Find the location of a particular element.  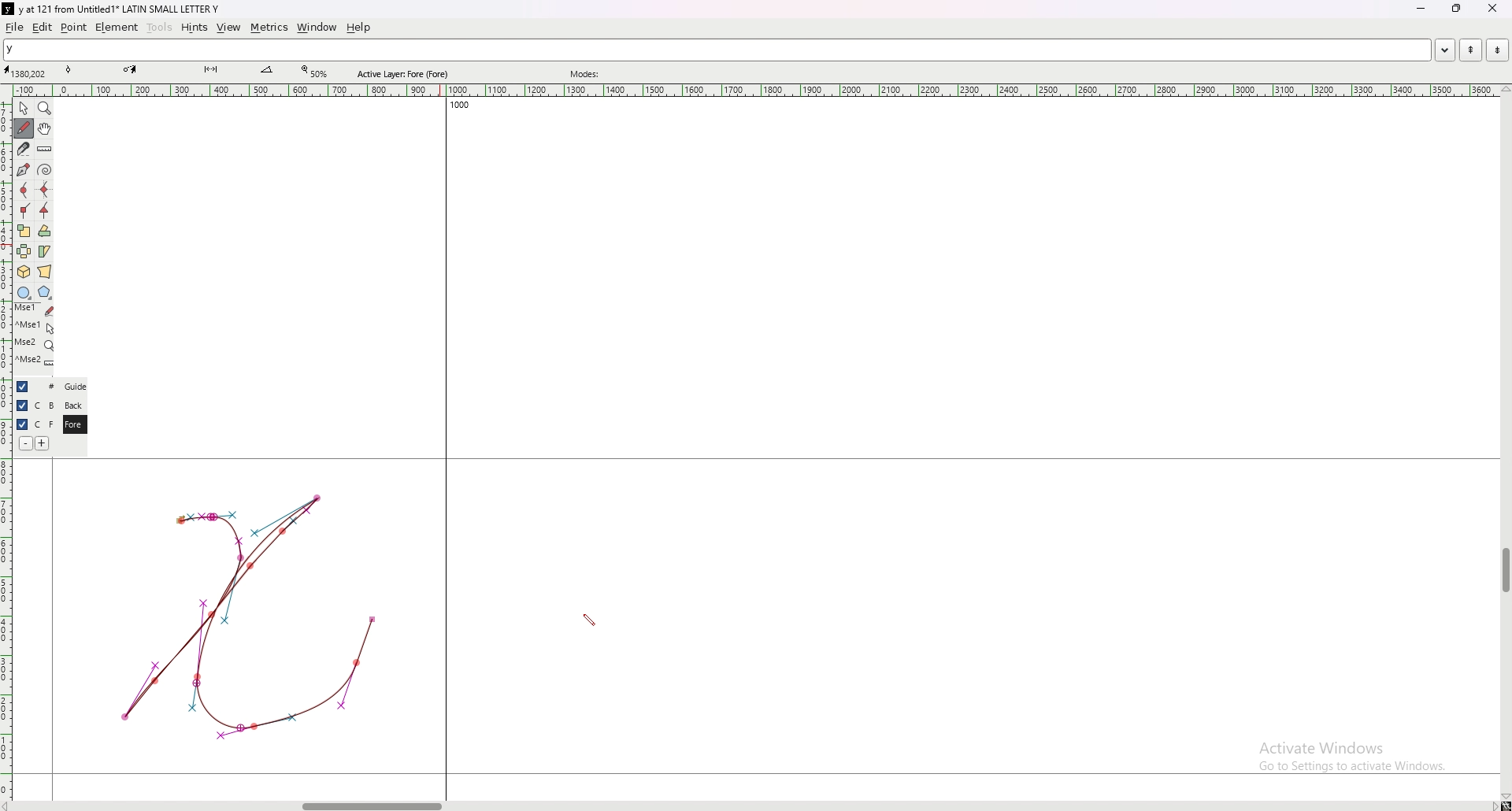

close is located at coordinates (1491, 9).